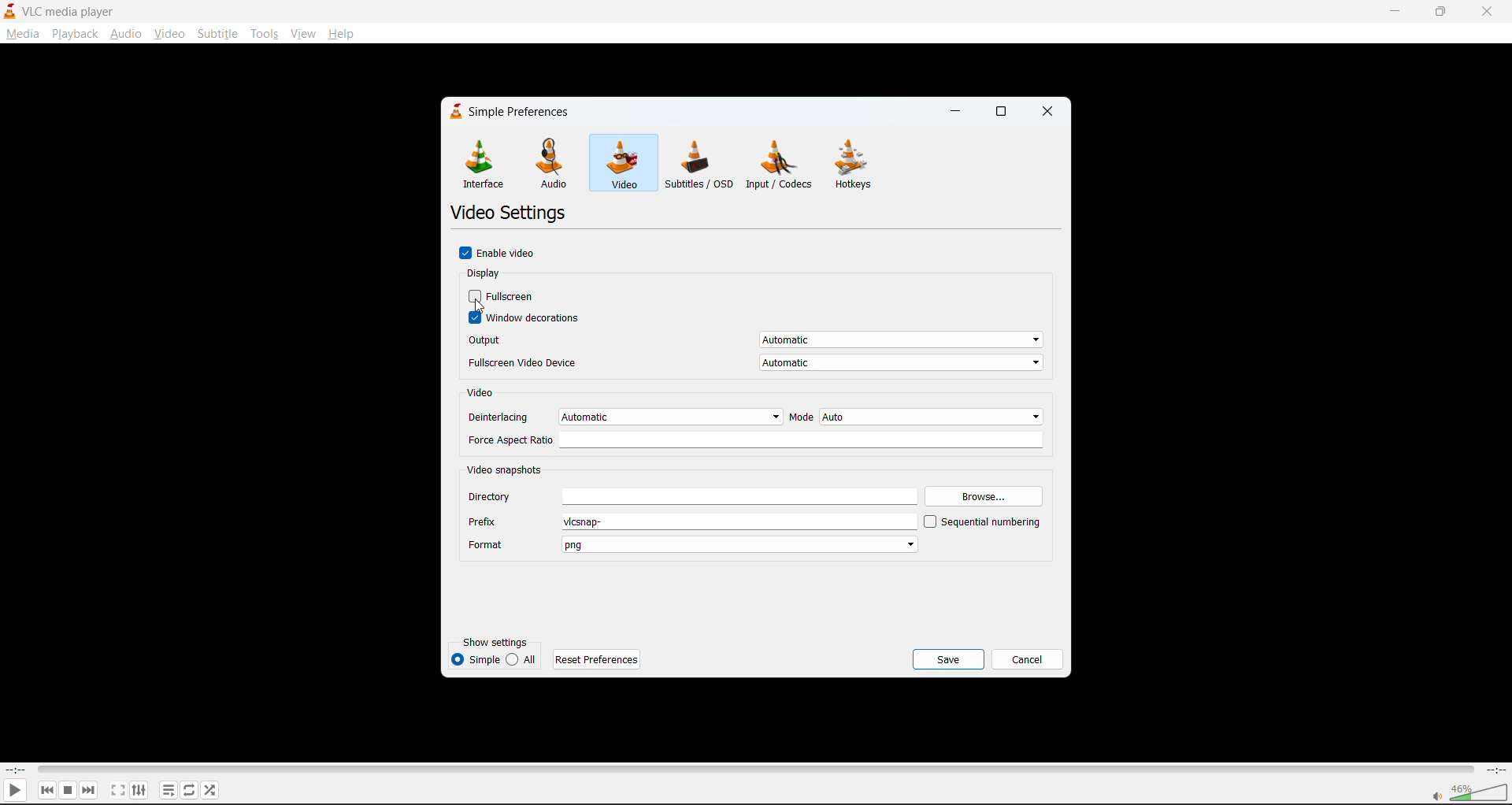 The height and width of the screenshot is (805, 1512). What do you see at coordinates (126, 32) in the screenshot?
I see `audio` at bounding box center [126, 32].